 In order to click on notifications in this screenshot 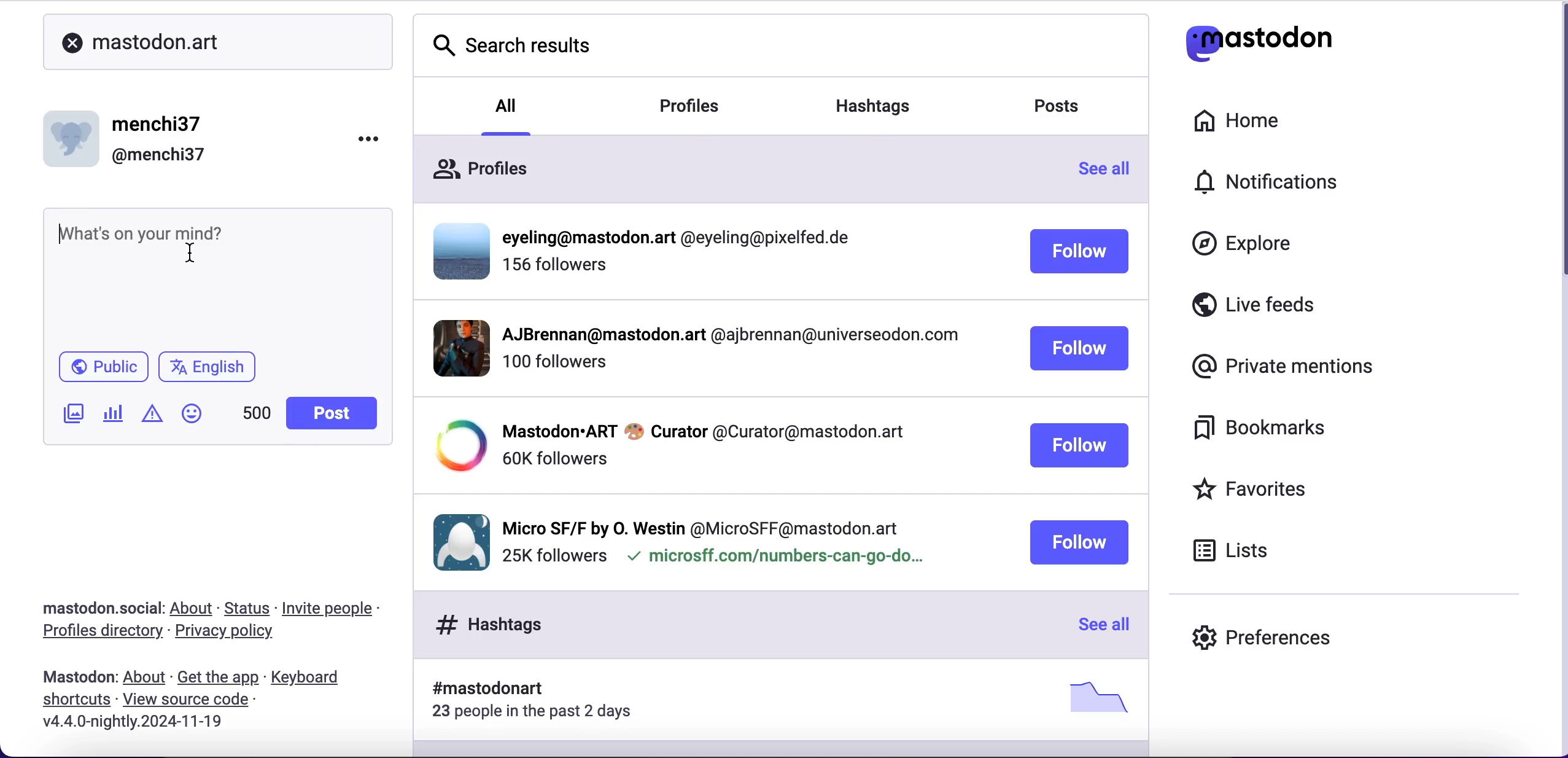, I will do `click(1263, 182)`.